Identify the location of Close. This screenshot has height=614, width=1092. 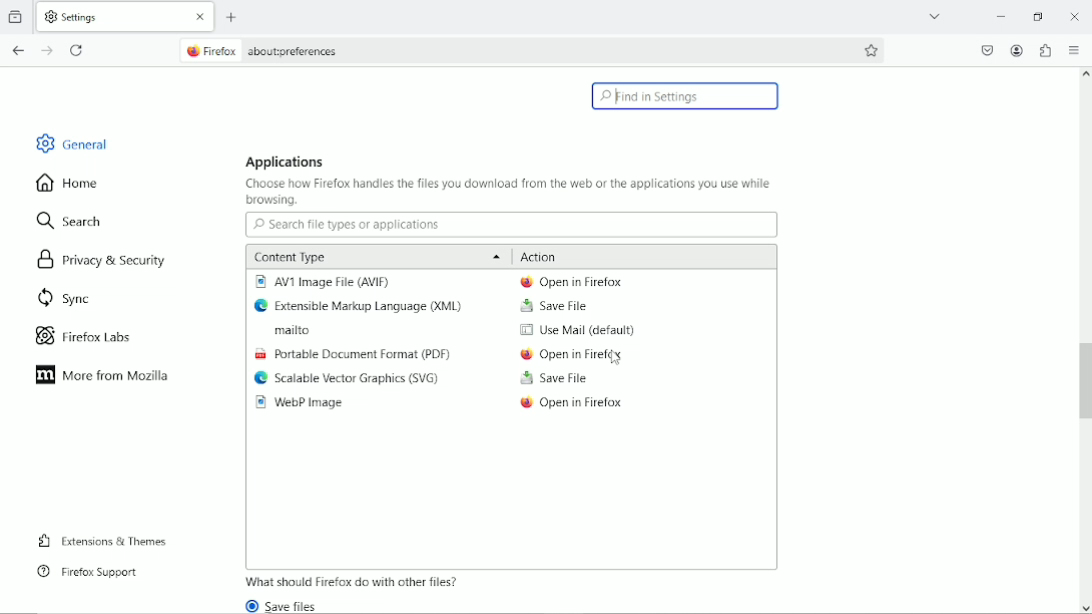
(1074, 14).